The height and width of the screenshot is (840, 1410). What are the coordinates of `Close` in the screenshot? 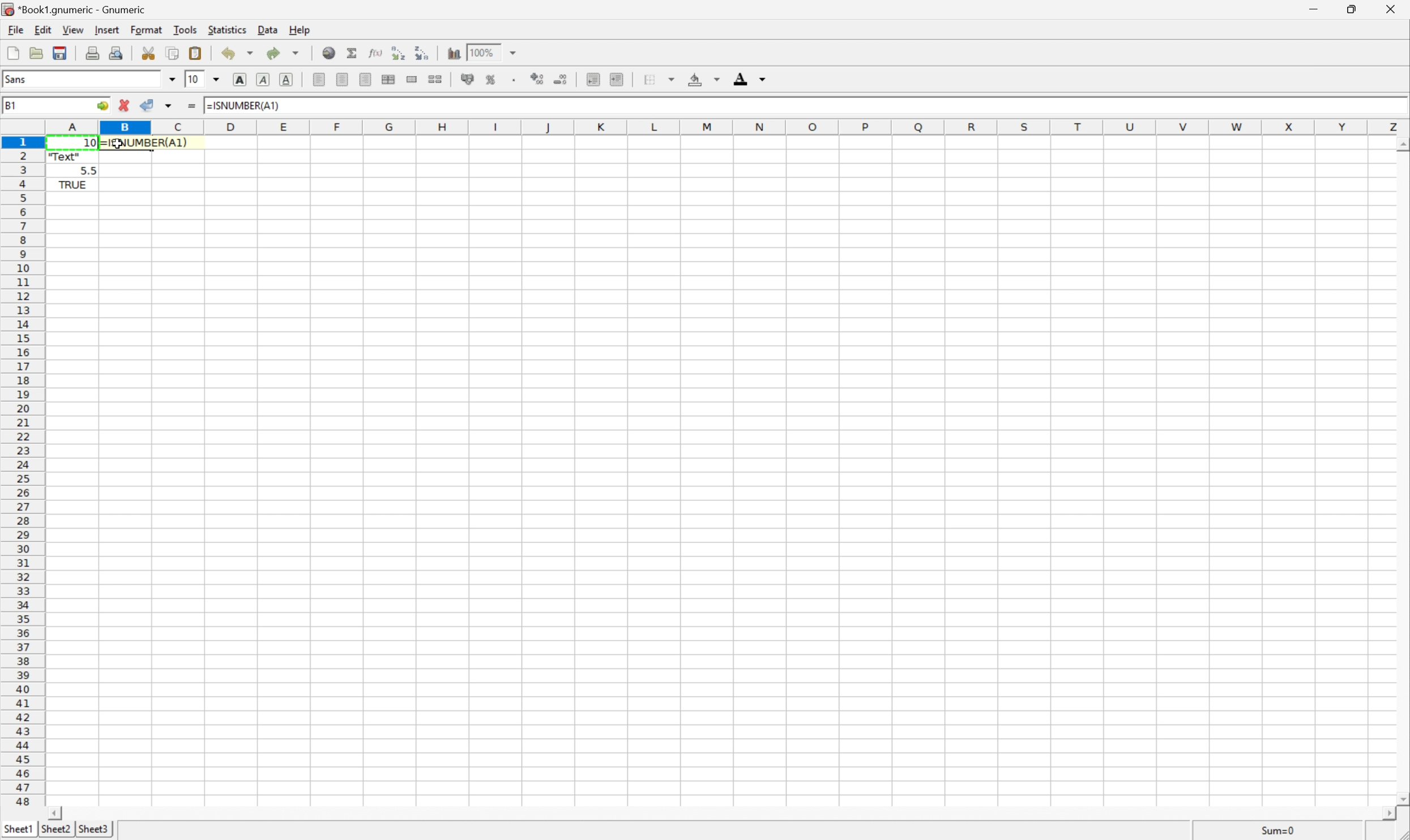 It's located at (1388, 8).